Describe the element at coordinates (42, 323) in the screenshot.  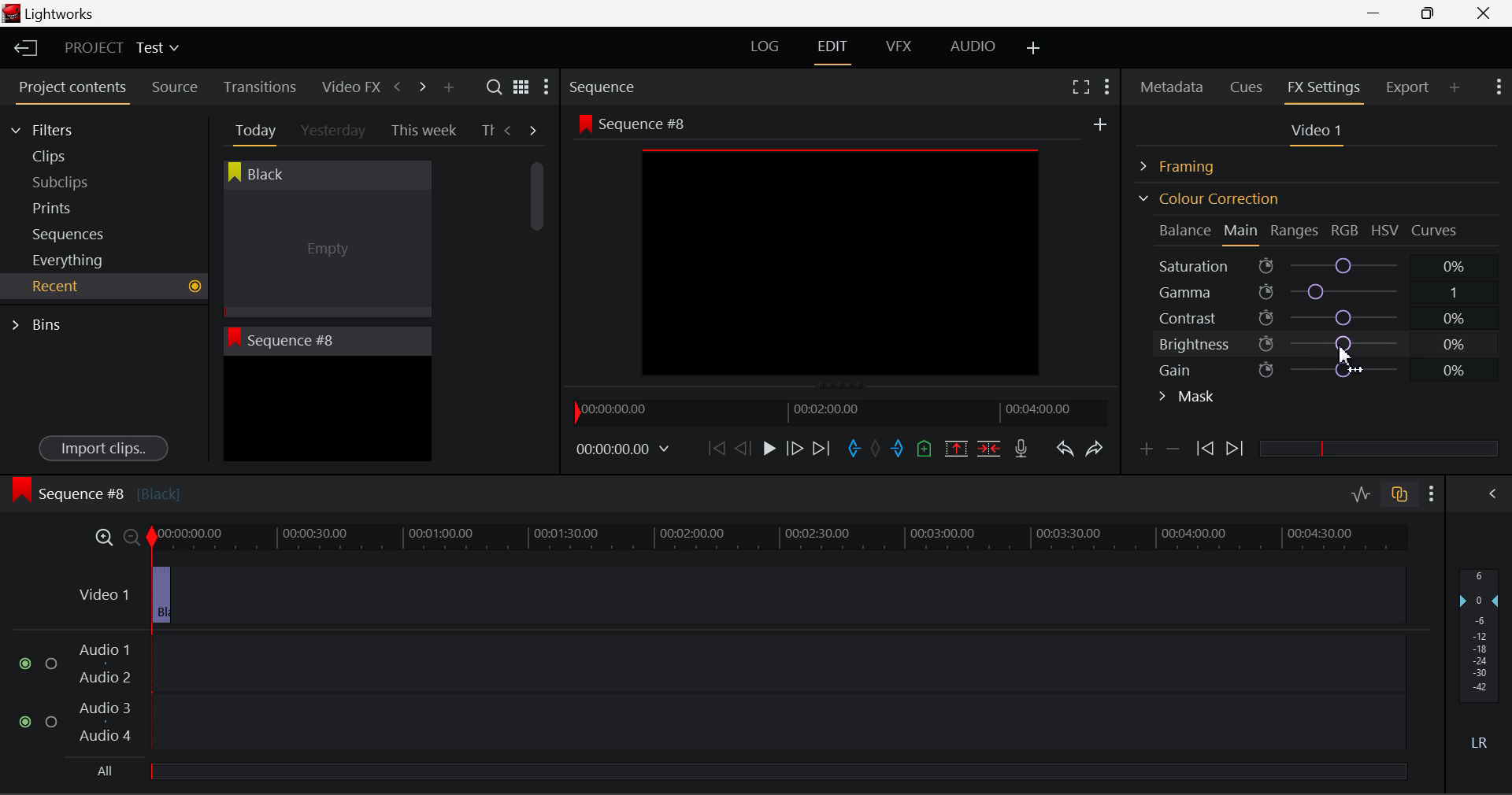
I see `Bins` at that location.